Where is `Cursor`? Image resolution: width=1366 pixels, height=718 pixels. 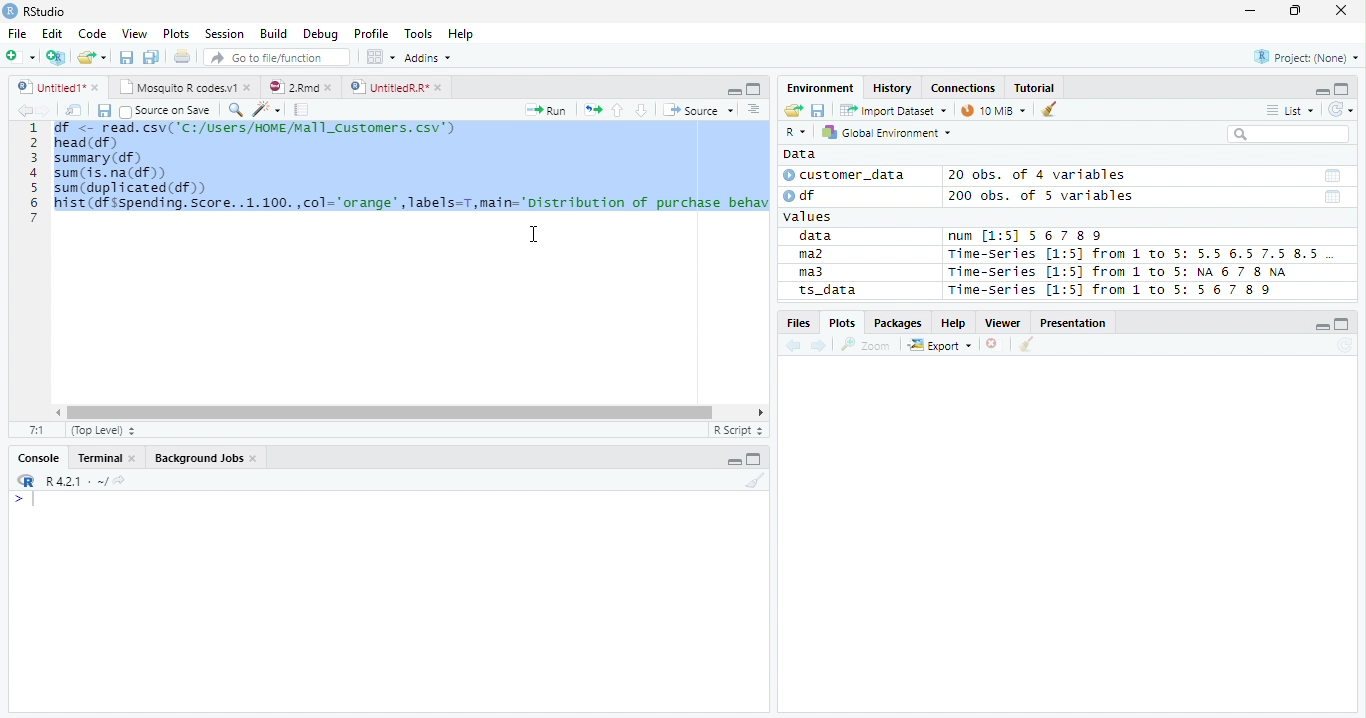
Cursor is located at coordinates (534, 234).